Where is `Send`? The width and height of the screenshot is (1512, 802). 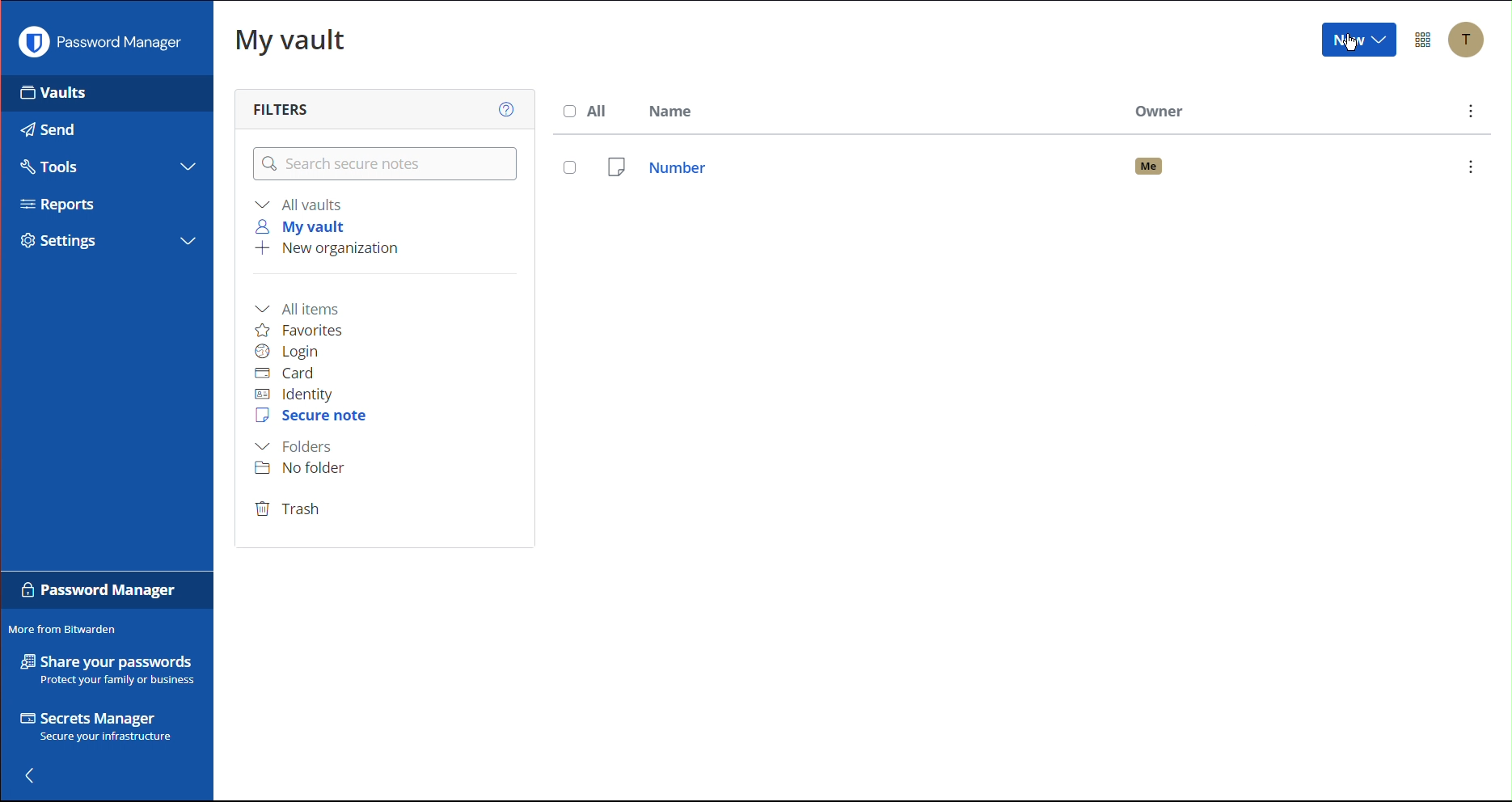
Send is located at coordinates (44, 125).